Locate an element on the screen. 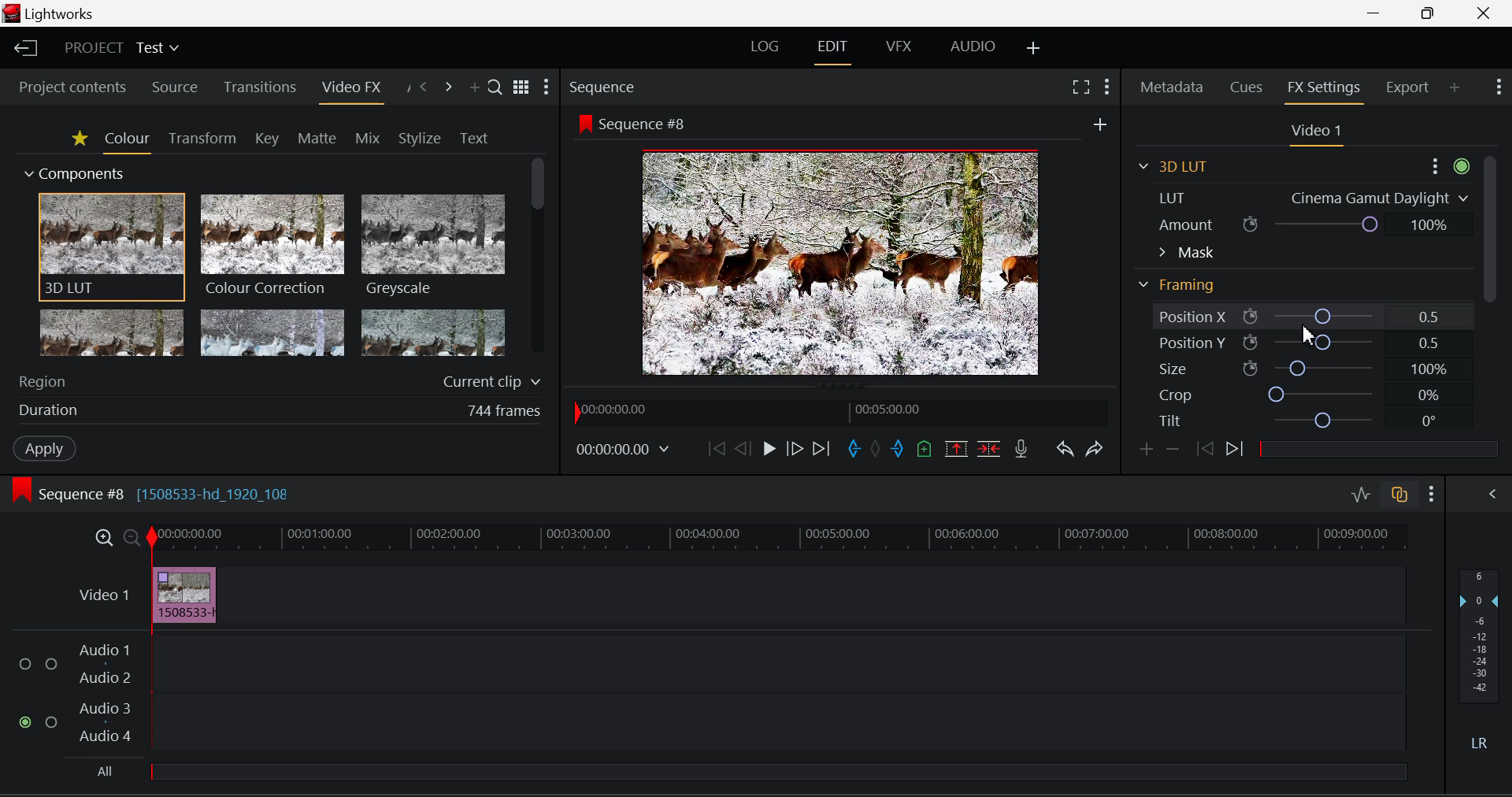 The width and height of the screenshot is (1512, 797). To End is located at coordinates (822, 451).